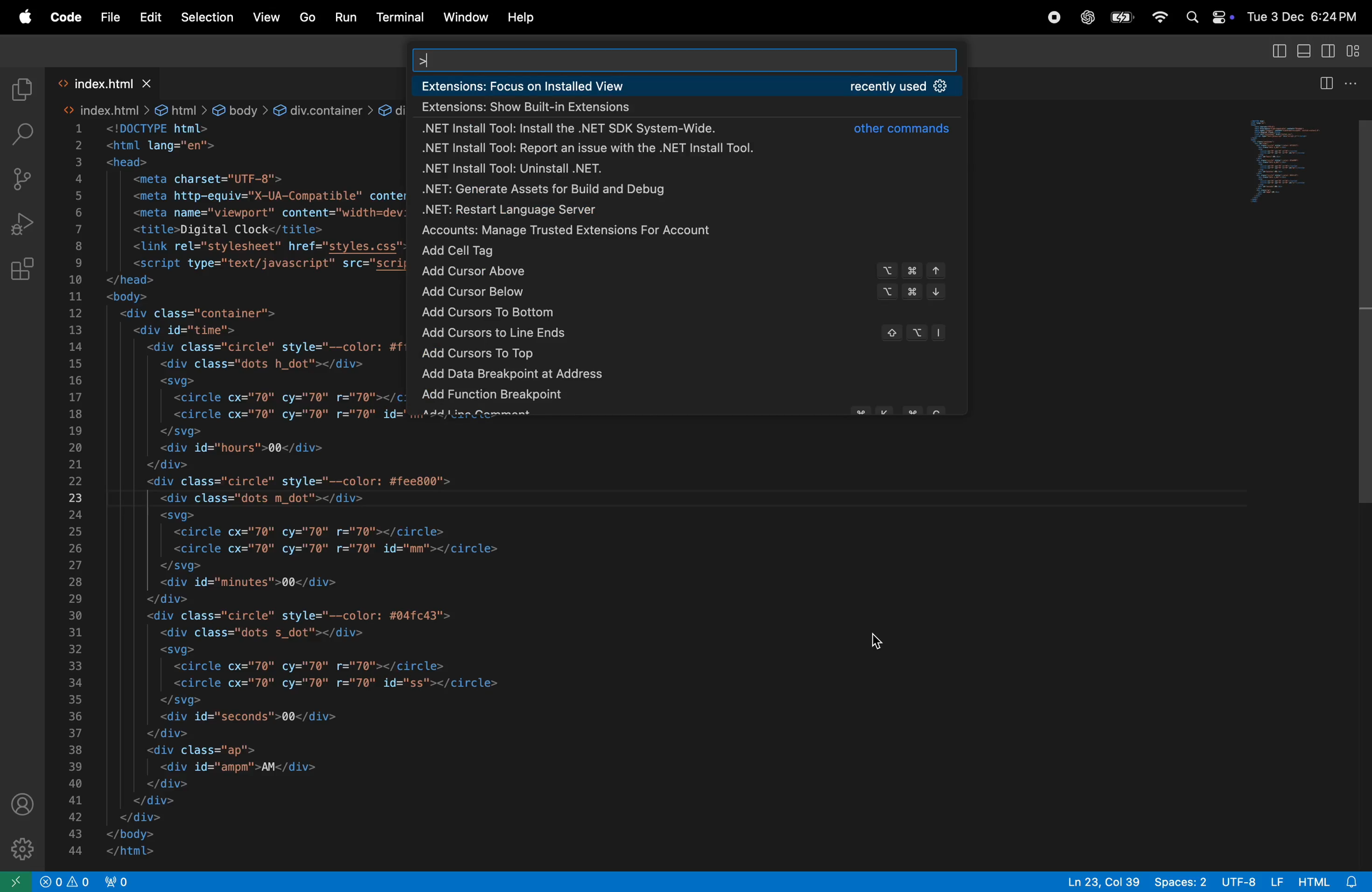 Image resolution: width=1372 pixels, height=892 pixels. I want to click on add data break point to objects, so click(689, 376).